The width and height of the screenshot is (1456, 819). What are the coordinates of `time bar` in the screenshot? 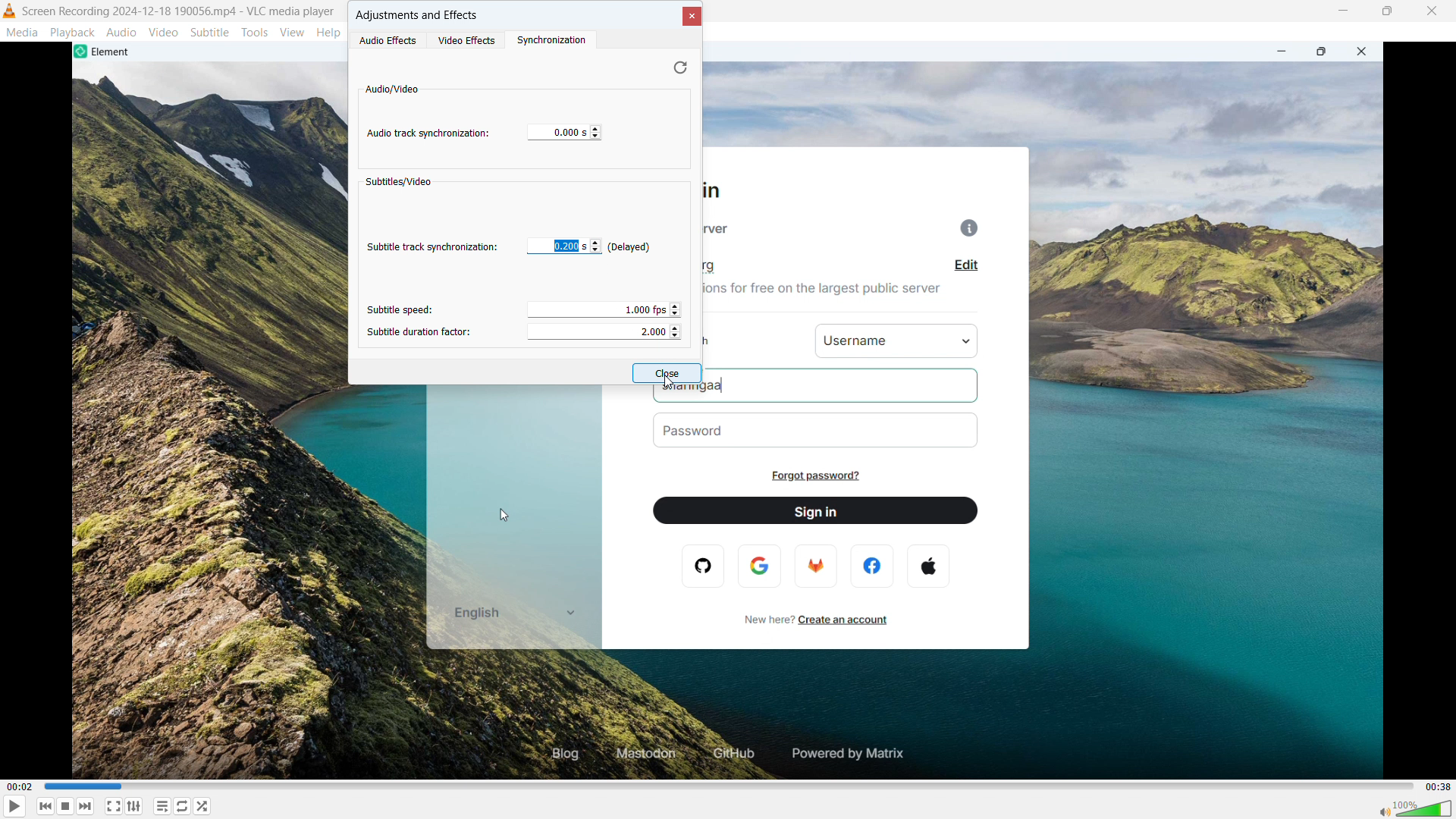 It's located at (730, 786).